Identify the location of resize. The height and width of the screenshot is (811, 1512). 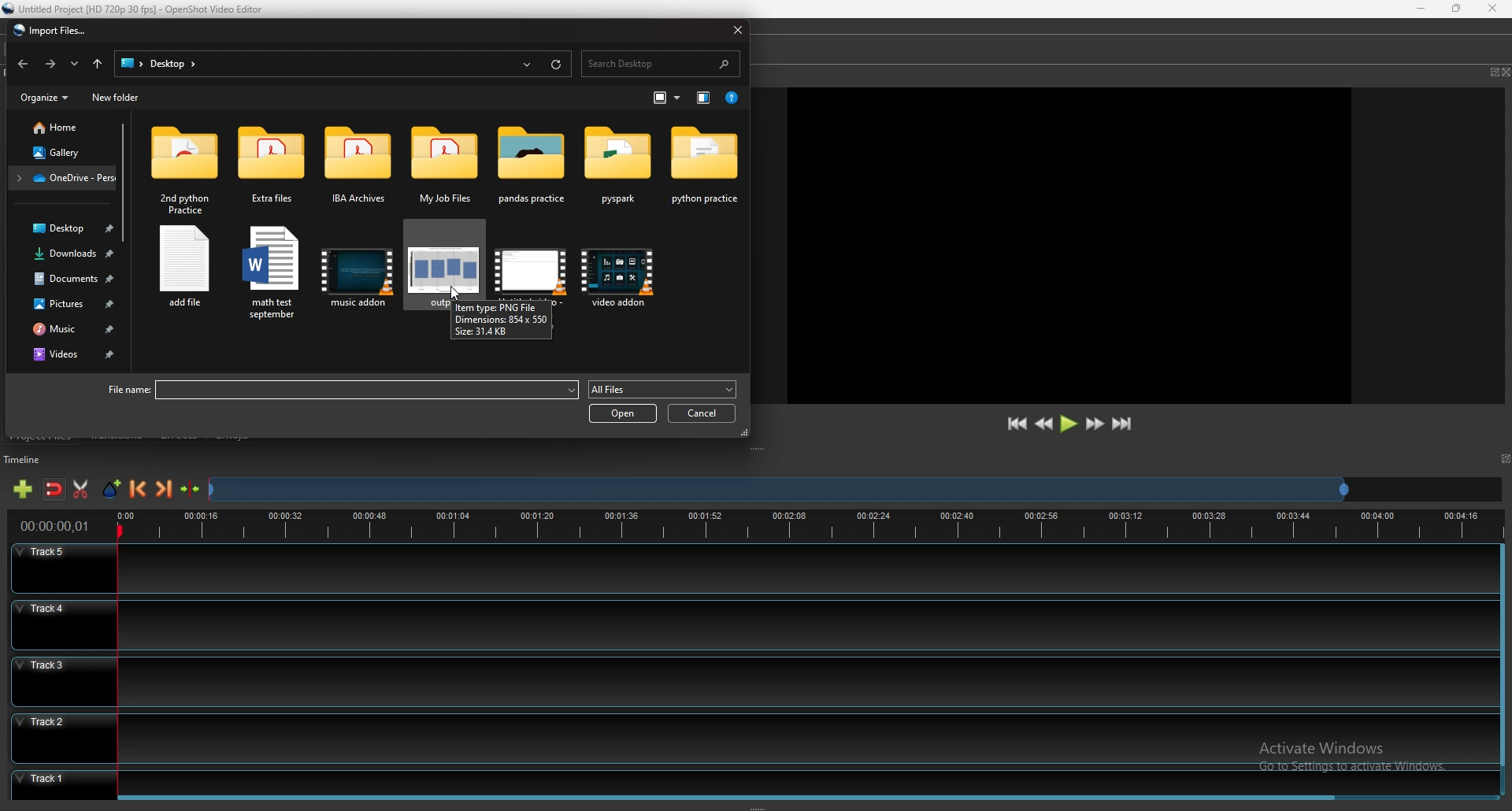
(1457, 8).